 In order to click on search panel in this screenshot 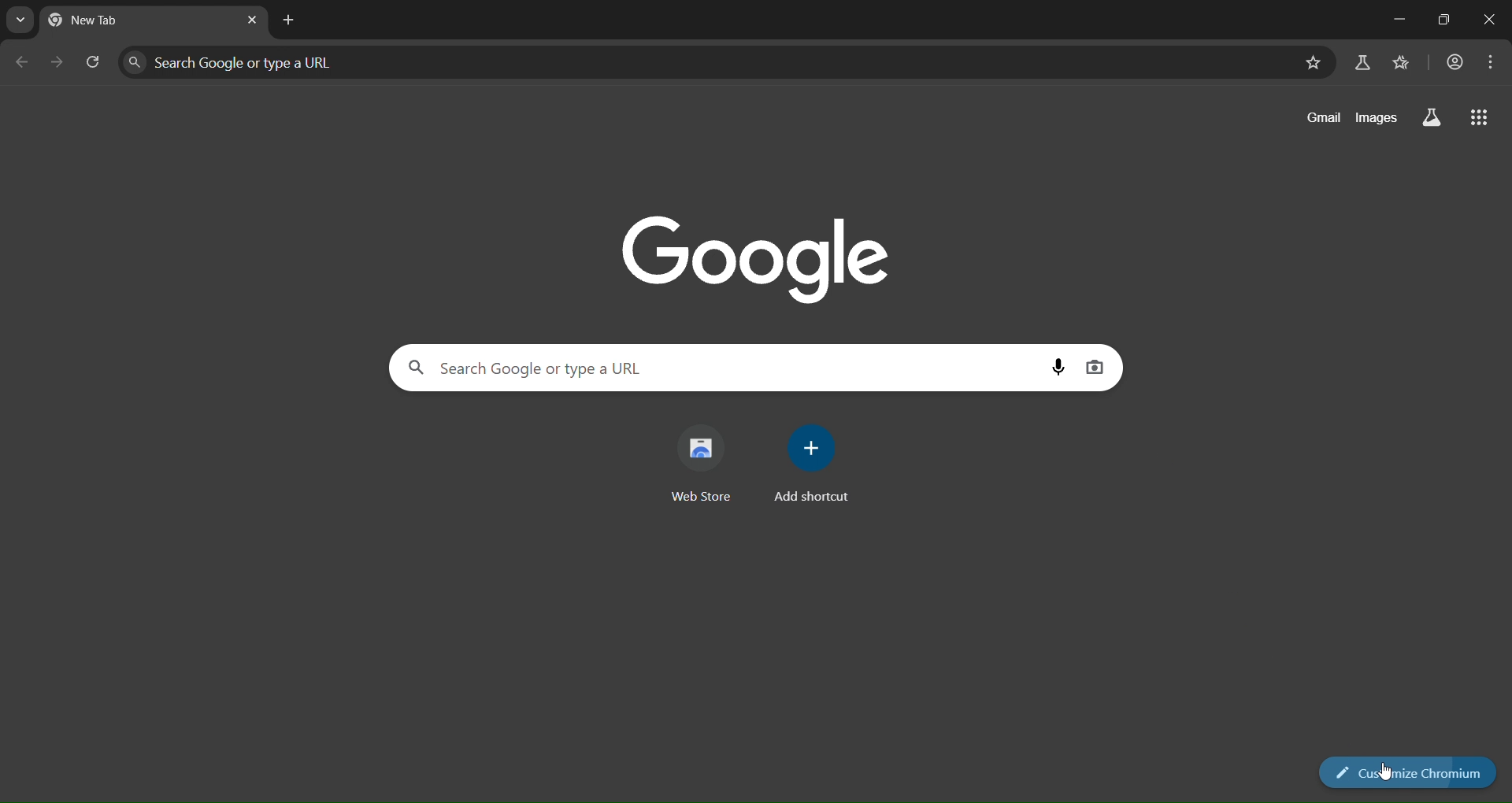, I will do `click(256, 61)`.